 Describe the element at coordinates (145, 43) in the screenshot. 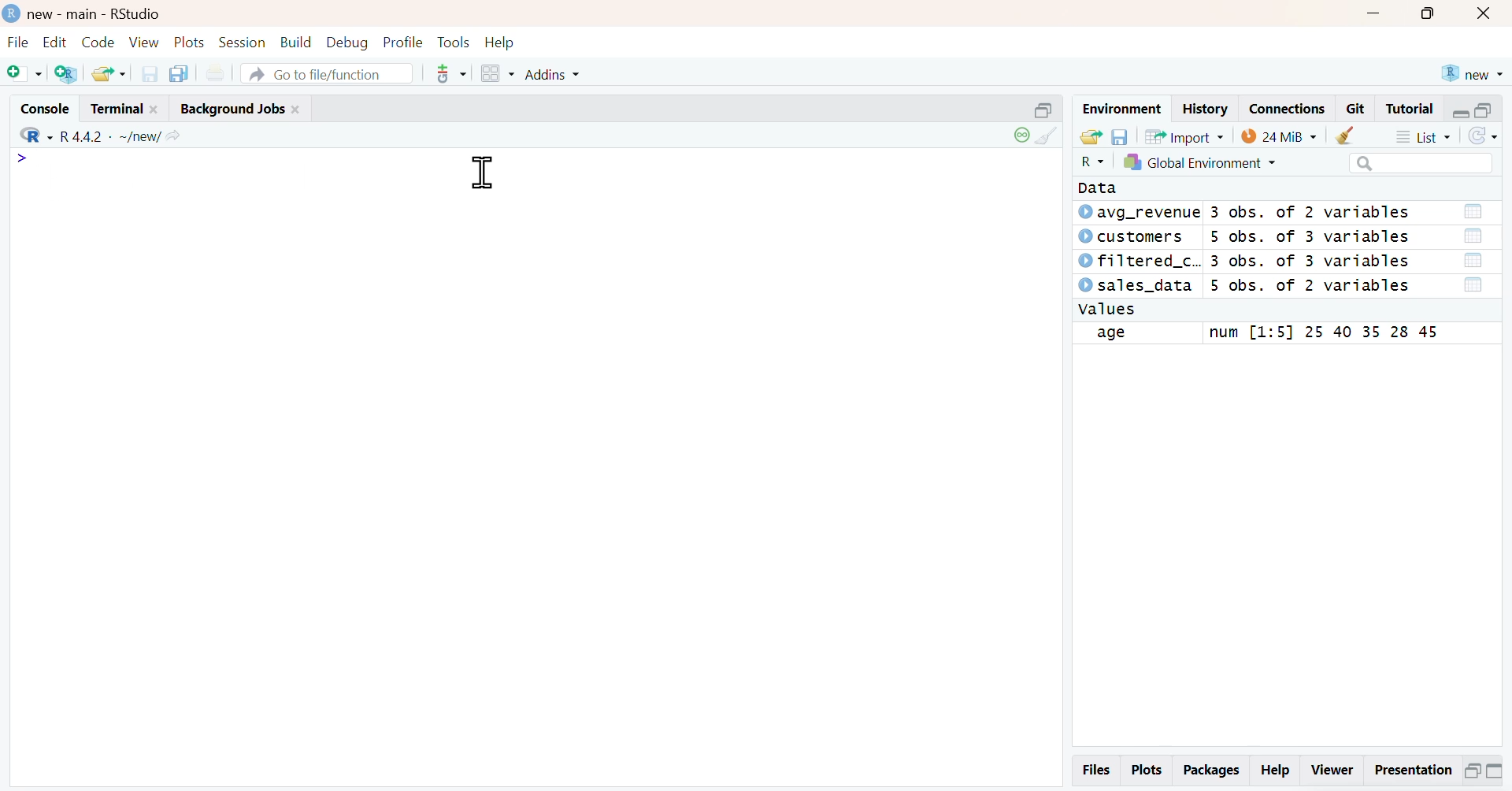

I see `View` at that location.